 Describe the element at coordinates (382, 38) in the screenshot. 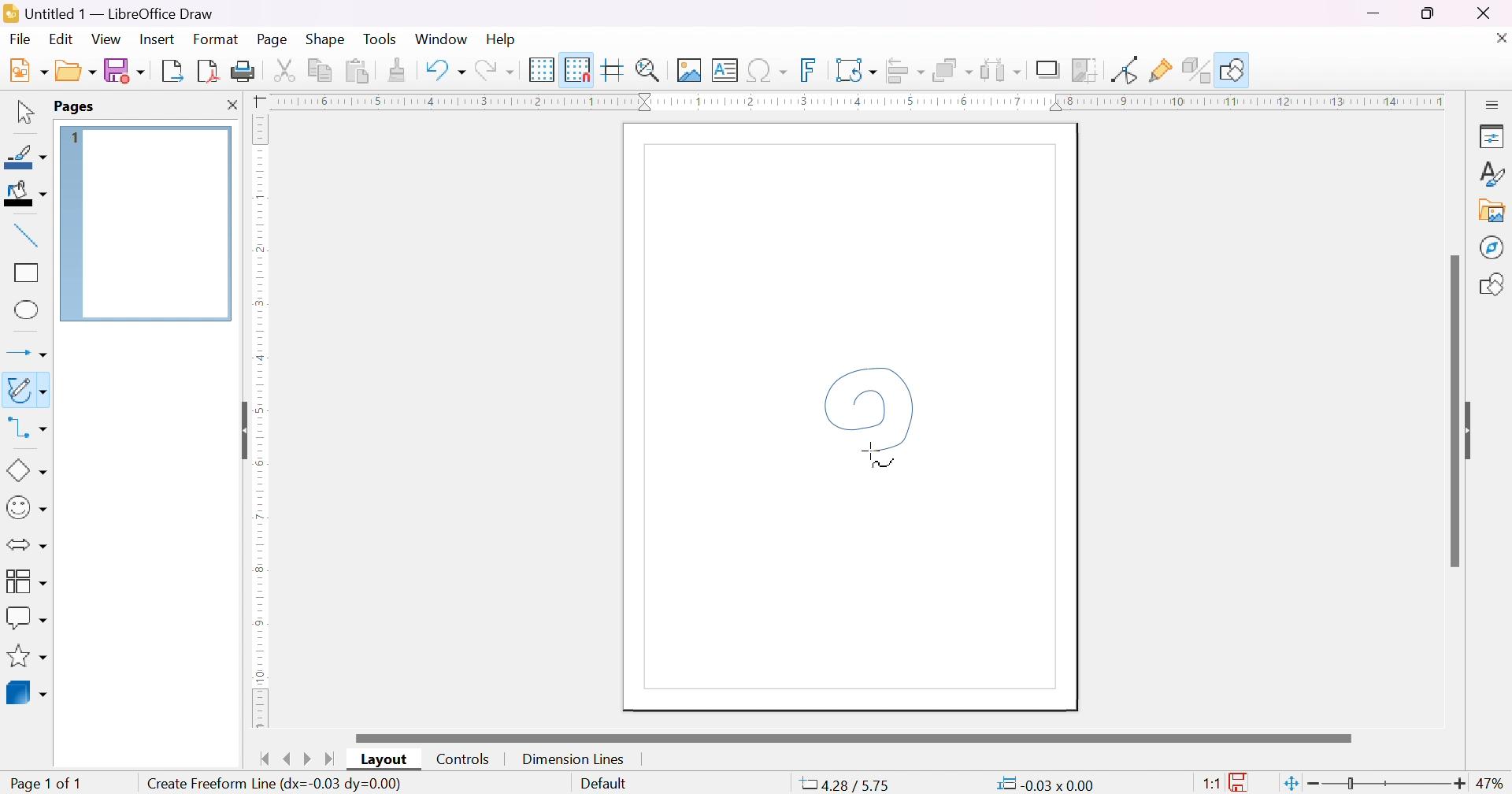

I see `tools` at that location.